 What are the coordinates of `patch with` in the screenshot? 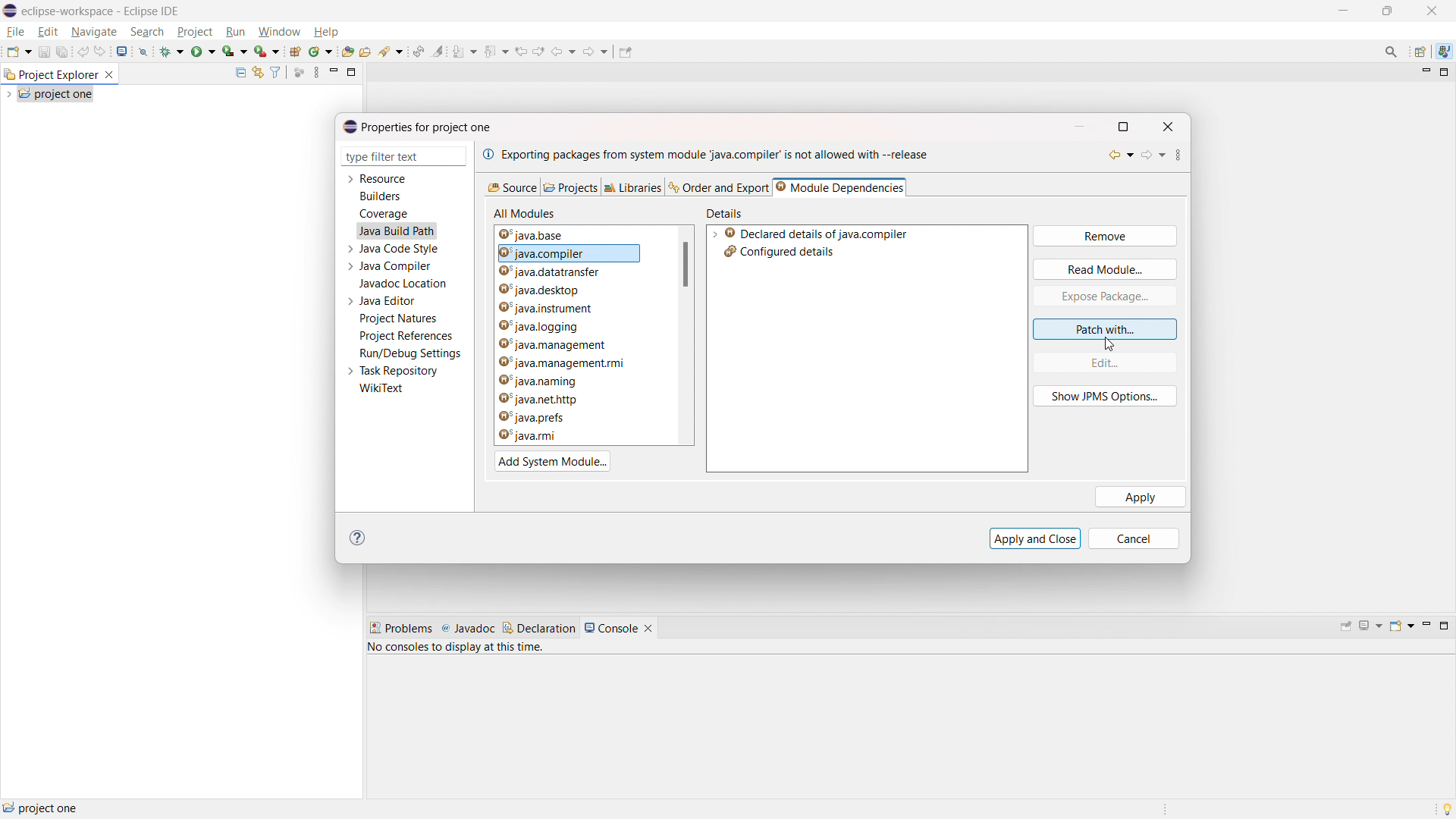 It's located at (1105, 329).